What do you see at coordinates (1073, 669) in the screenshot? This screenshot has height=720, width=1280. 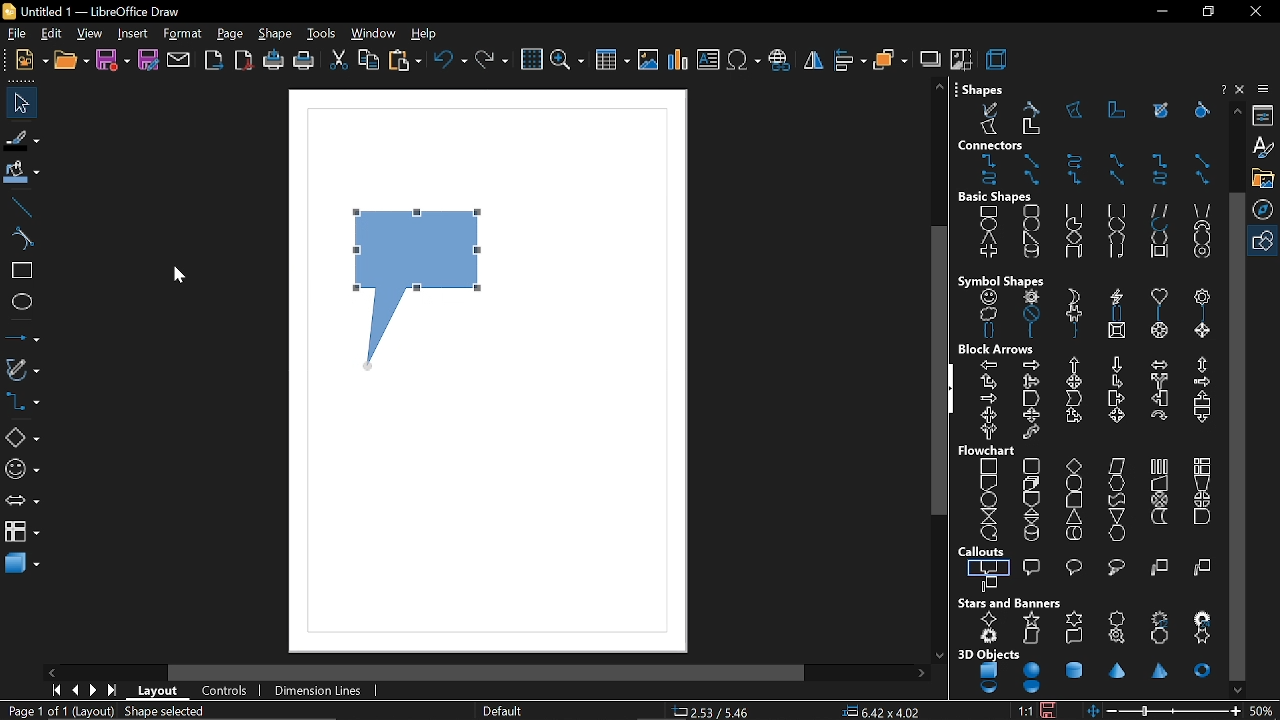 I see `cylinder` at bounding box center [1073, 669].